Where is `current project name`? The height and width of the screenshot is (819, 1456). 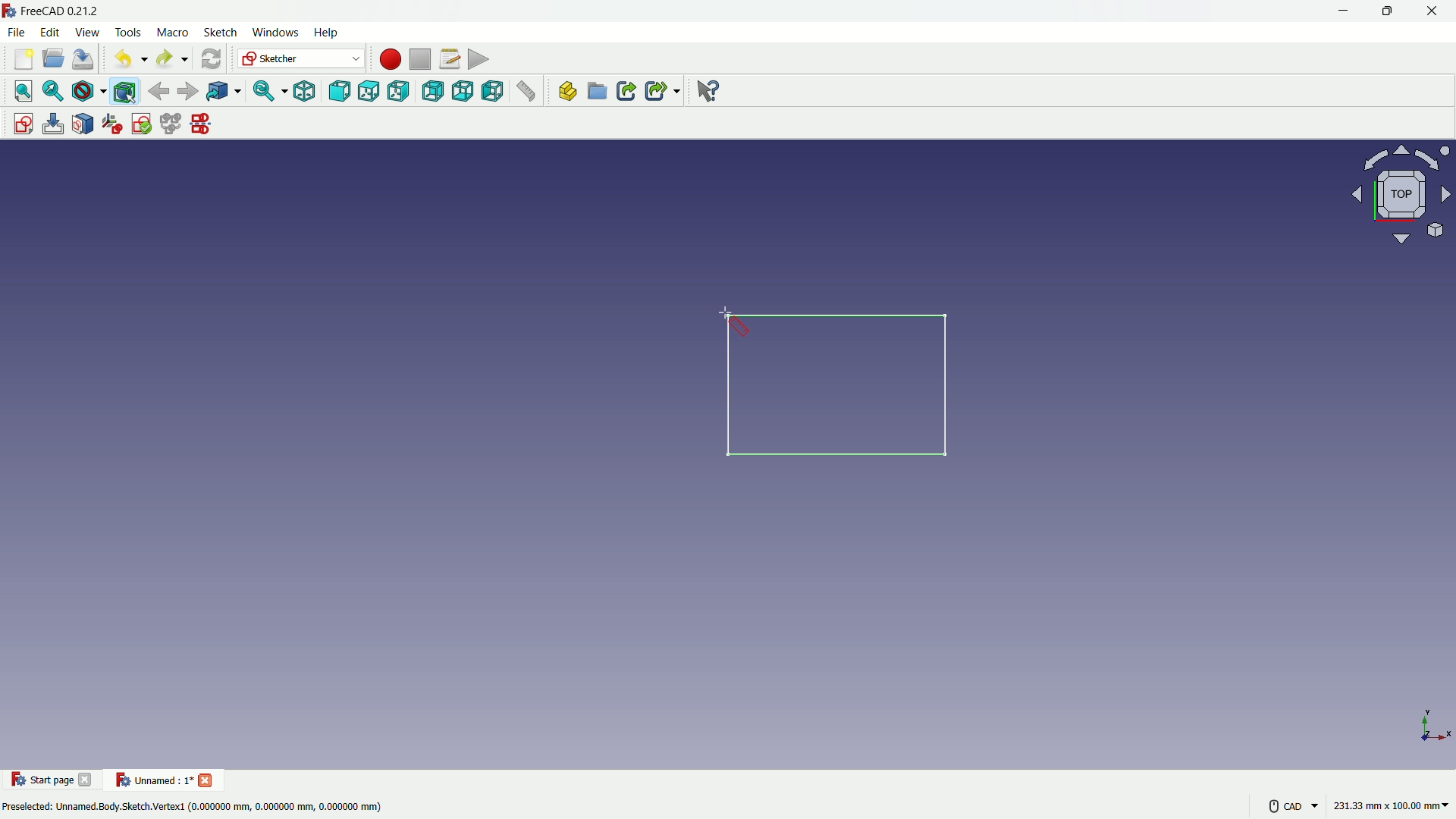
current project name is located at coordinates (152, 780).